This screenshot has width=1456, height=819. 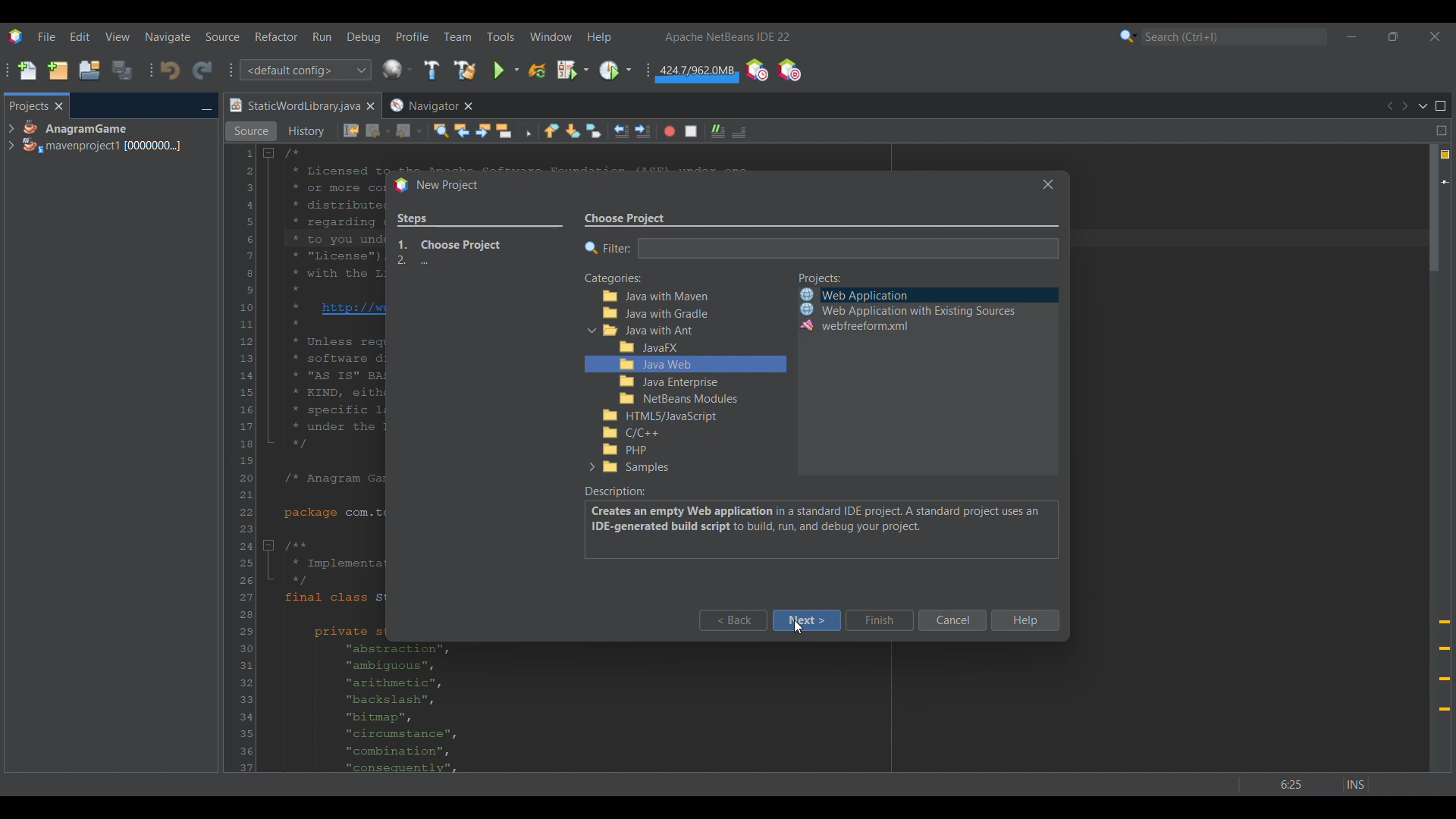 What do you see at coordinates (103, 136) in the screenshot?
I see `Project options` at bounding box center [103, 136].